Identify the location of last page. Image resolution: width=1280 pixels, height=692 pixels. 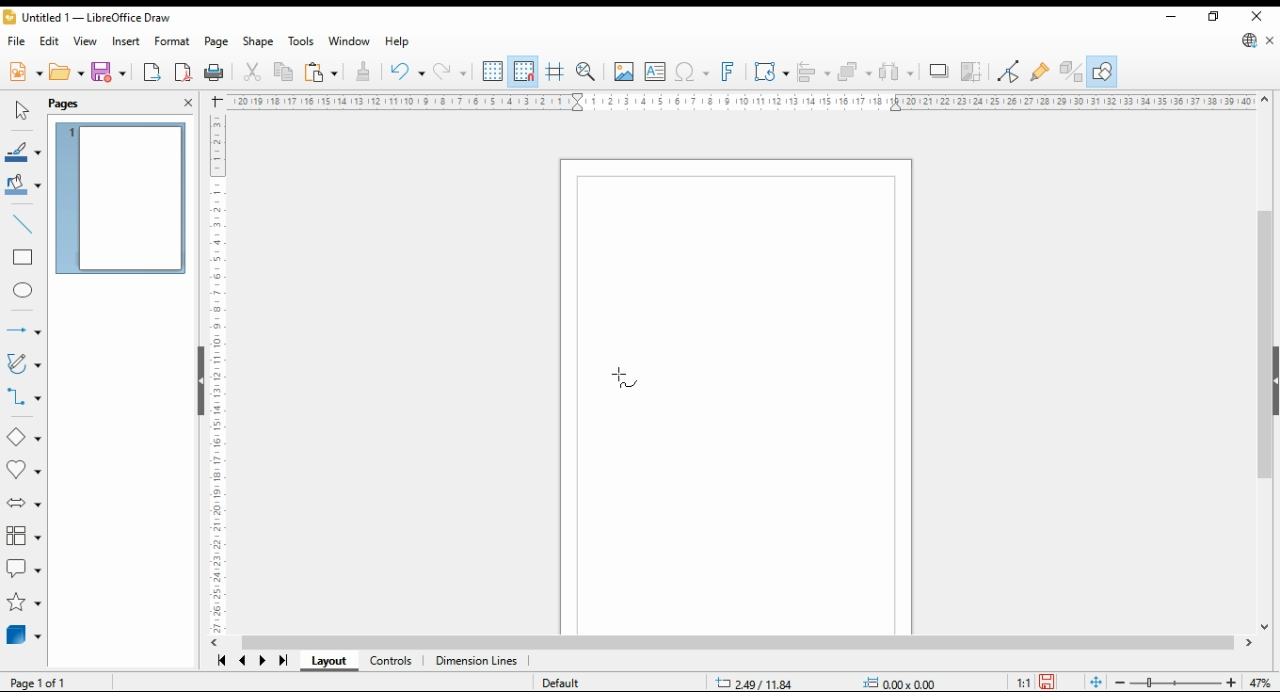
(284, 661).